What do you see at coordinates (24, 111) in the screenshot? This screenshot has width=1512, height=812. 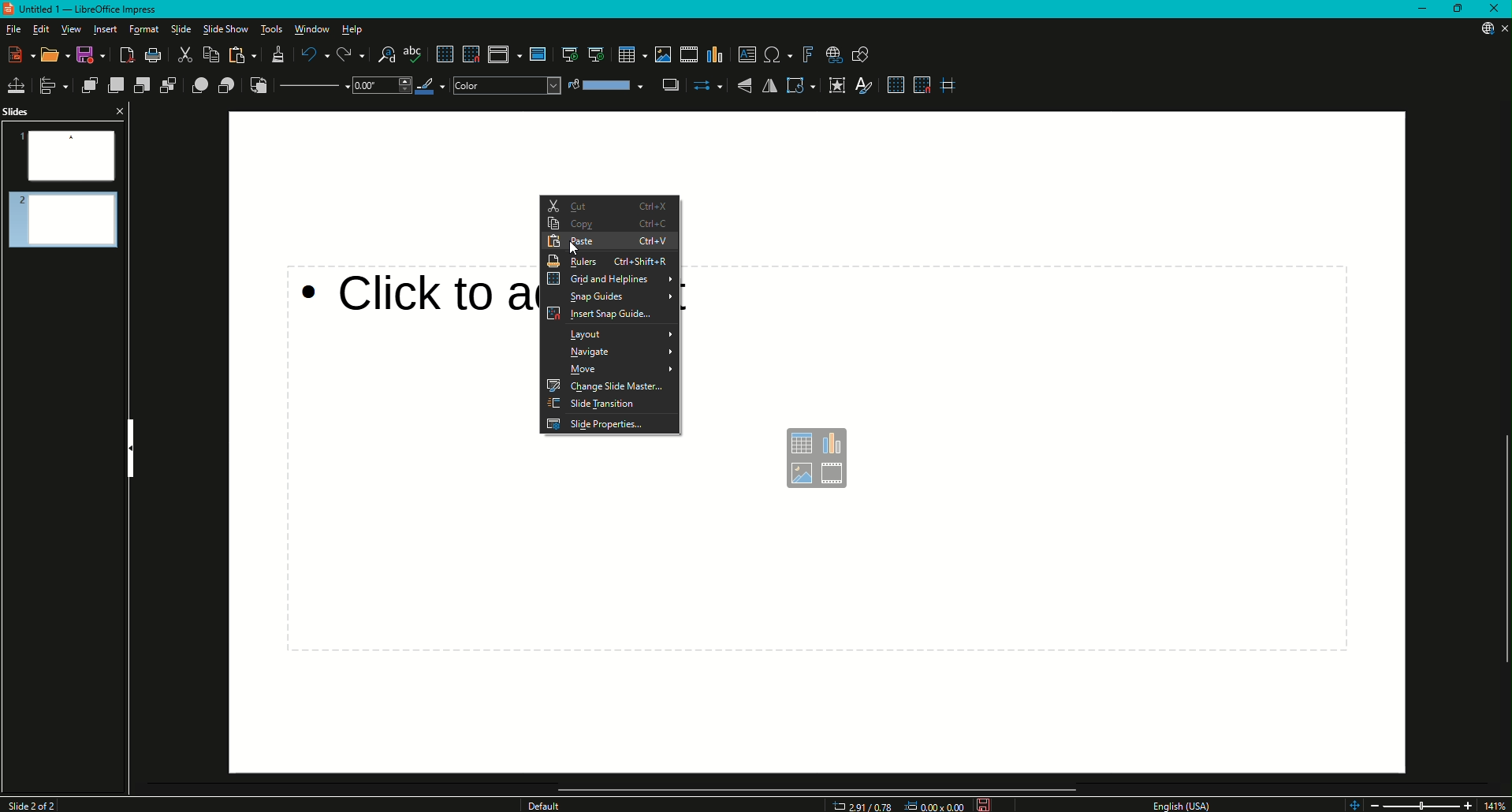 I see `Slides` at bounding box center [24, 111].